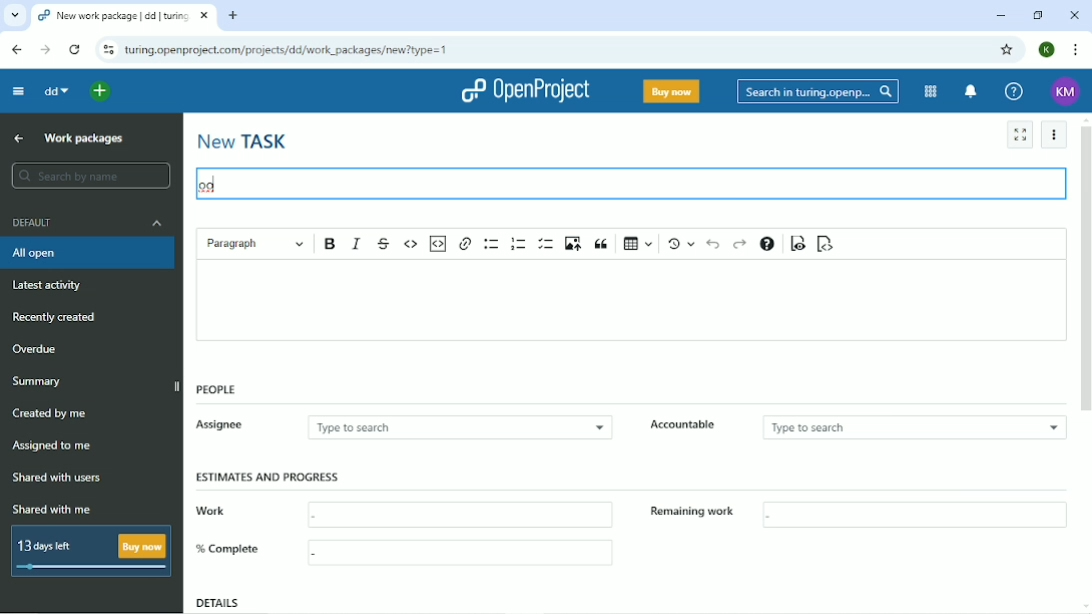 The height and width of the screenshot is (614, 1092). Describe the element at coordinates (14, 13) in the screenshot. I see `list of tabs` at that location.